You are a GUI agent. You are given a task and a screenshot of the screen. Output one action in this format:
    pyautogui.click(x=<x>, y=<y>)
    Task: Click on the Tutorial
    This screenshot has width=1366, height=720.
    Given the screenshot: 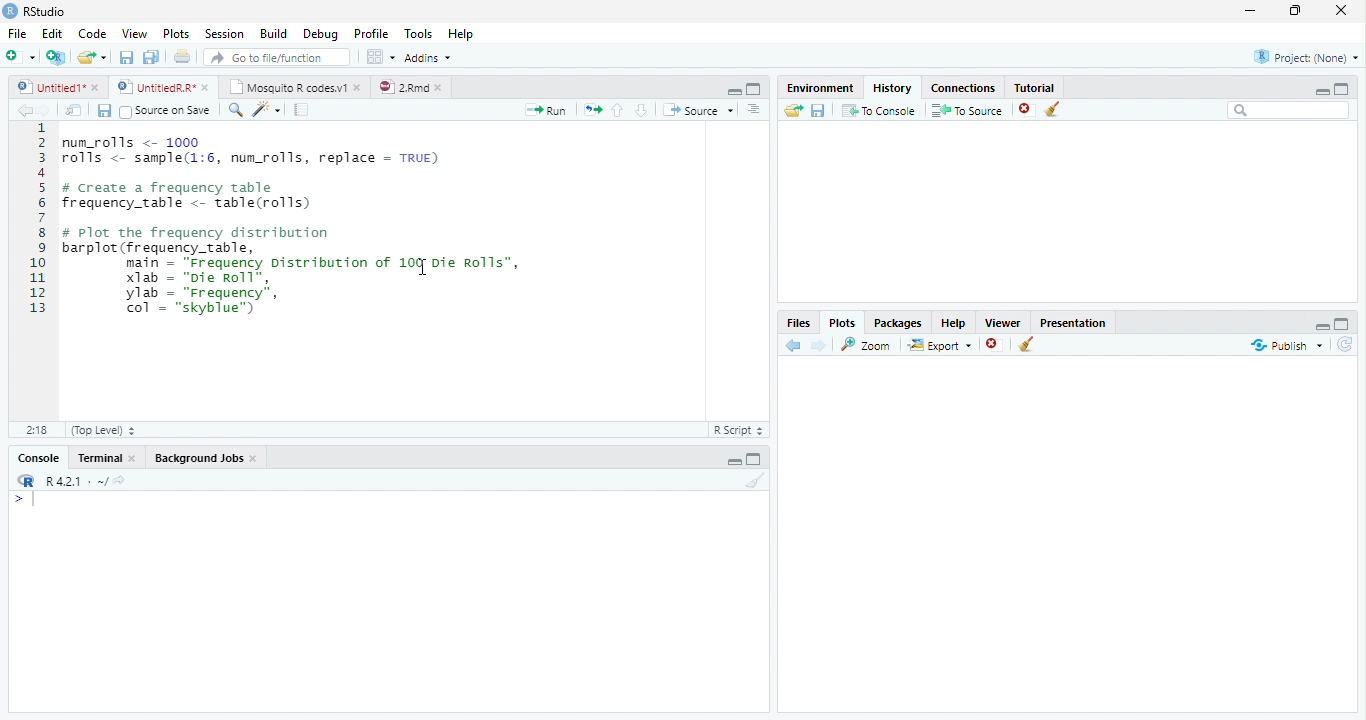 What is the action you would take?
    pyautogui.click(x=1034, y=86)
    